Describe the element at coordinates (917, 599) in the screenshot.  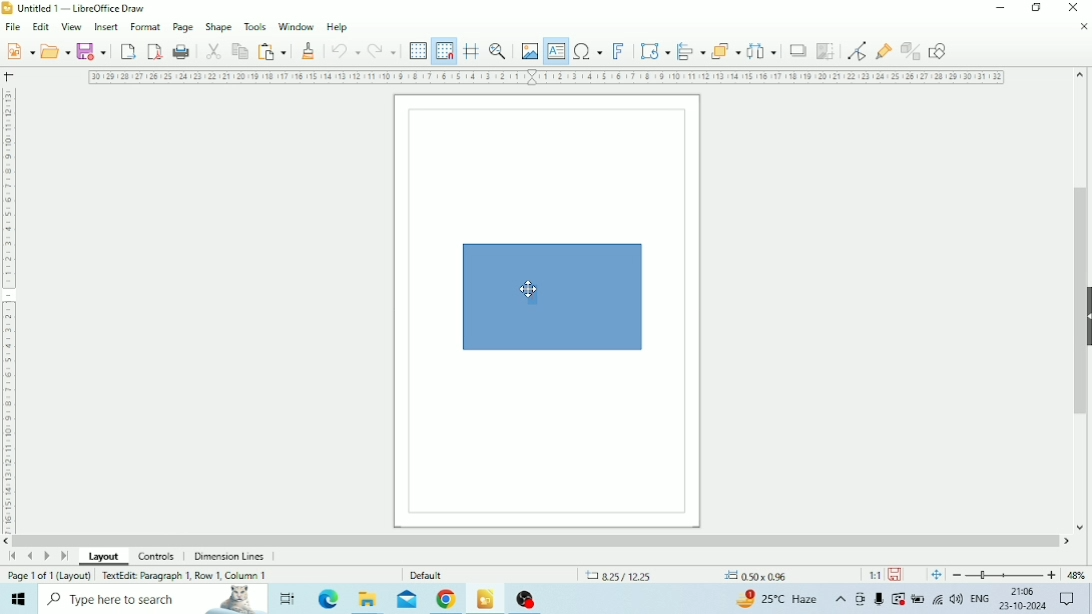
I see `Charging, plugged in` at that location.